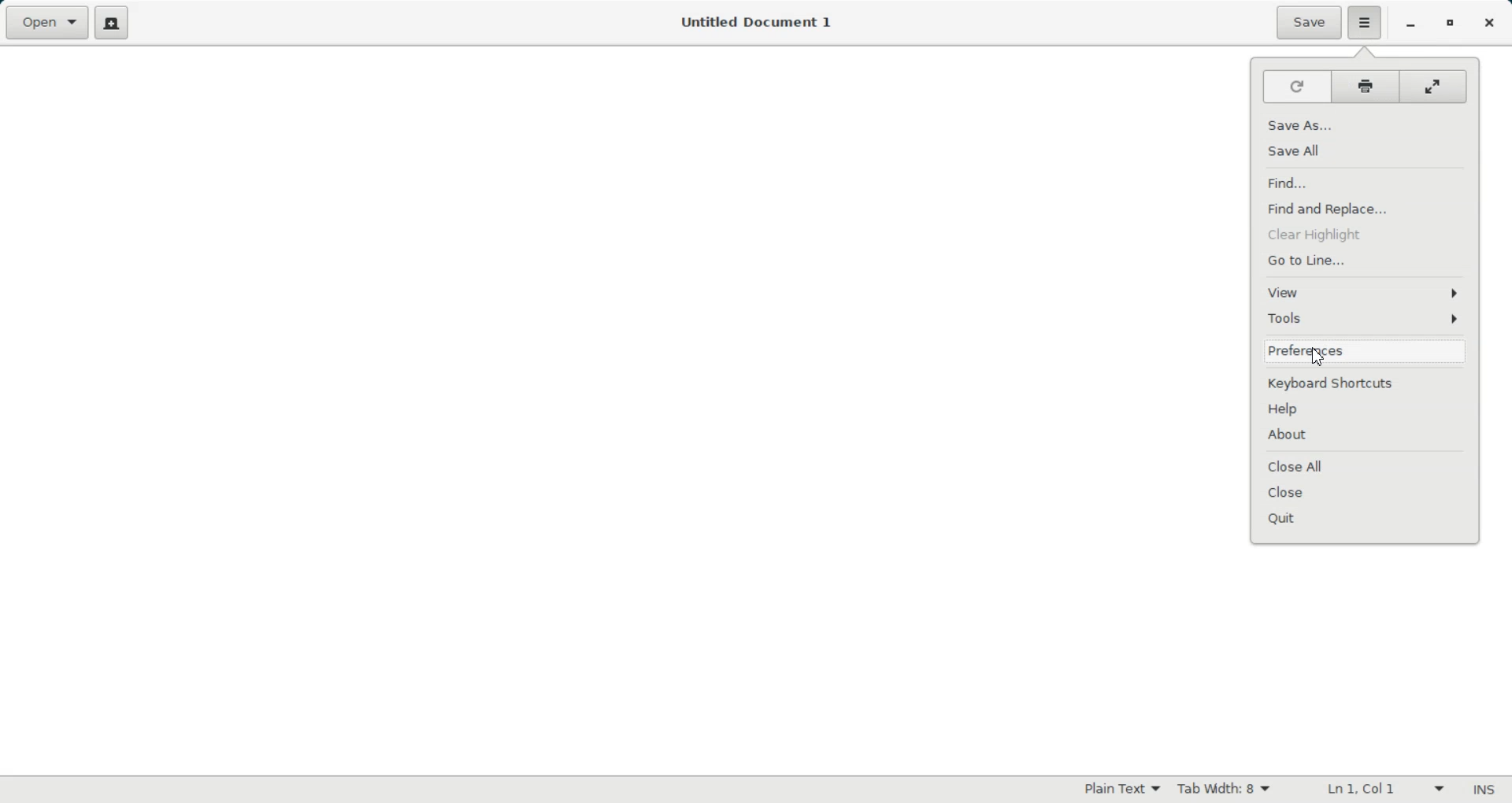  I want to click on Help, so click(1366, 406).